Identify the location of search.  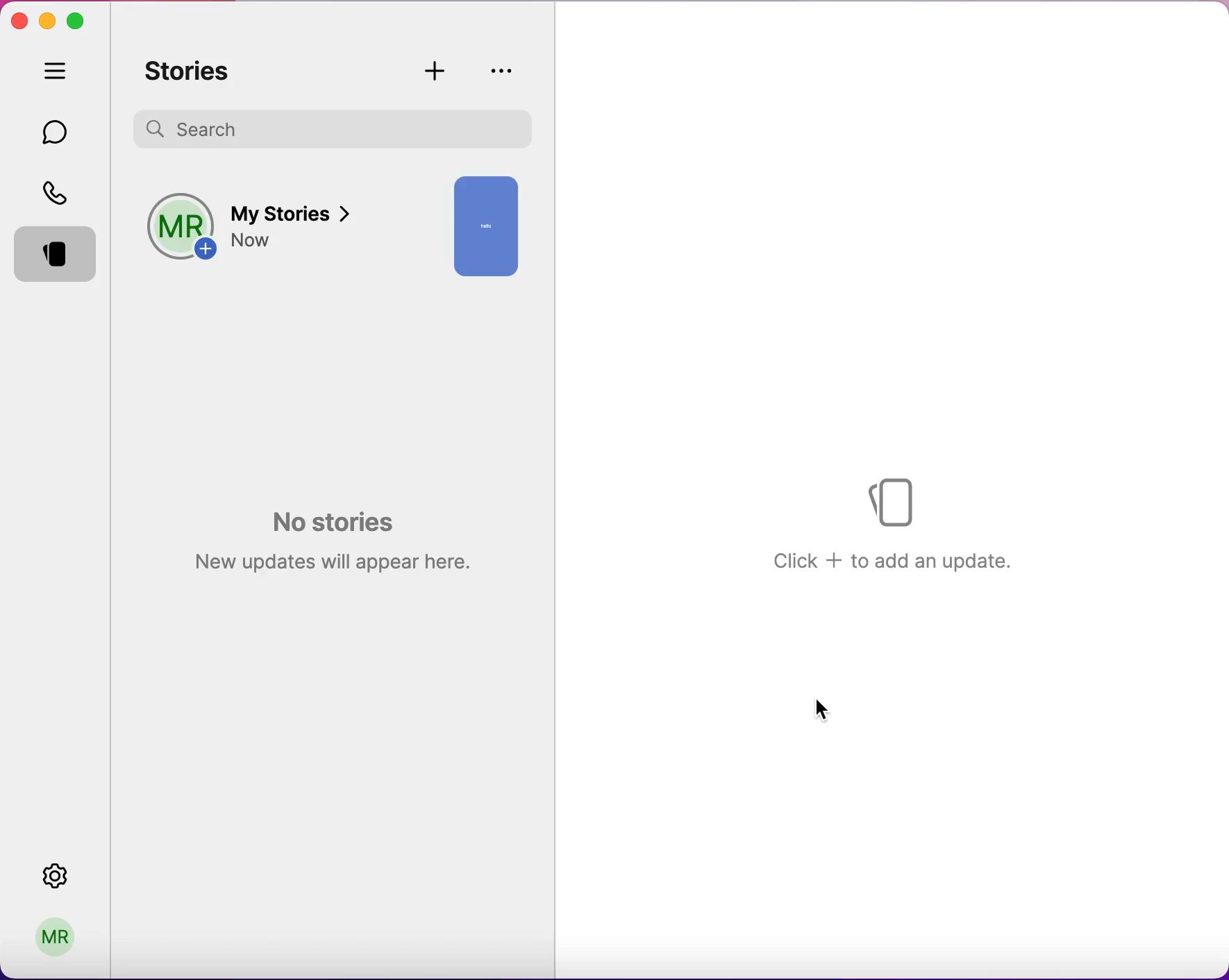
(337, 127).